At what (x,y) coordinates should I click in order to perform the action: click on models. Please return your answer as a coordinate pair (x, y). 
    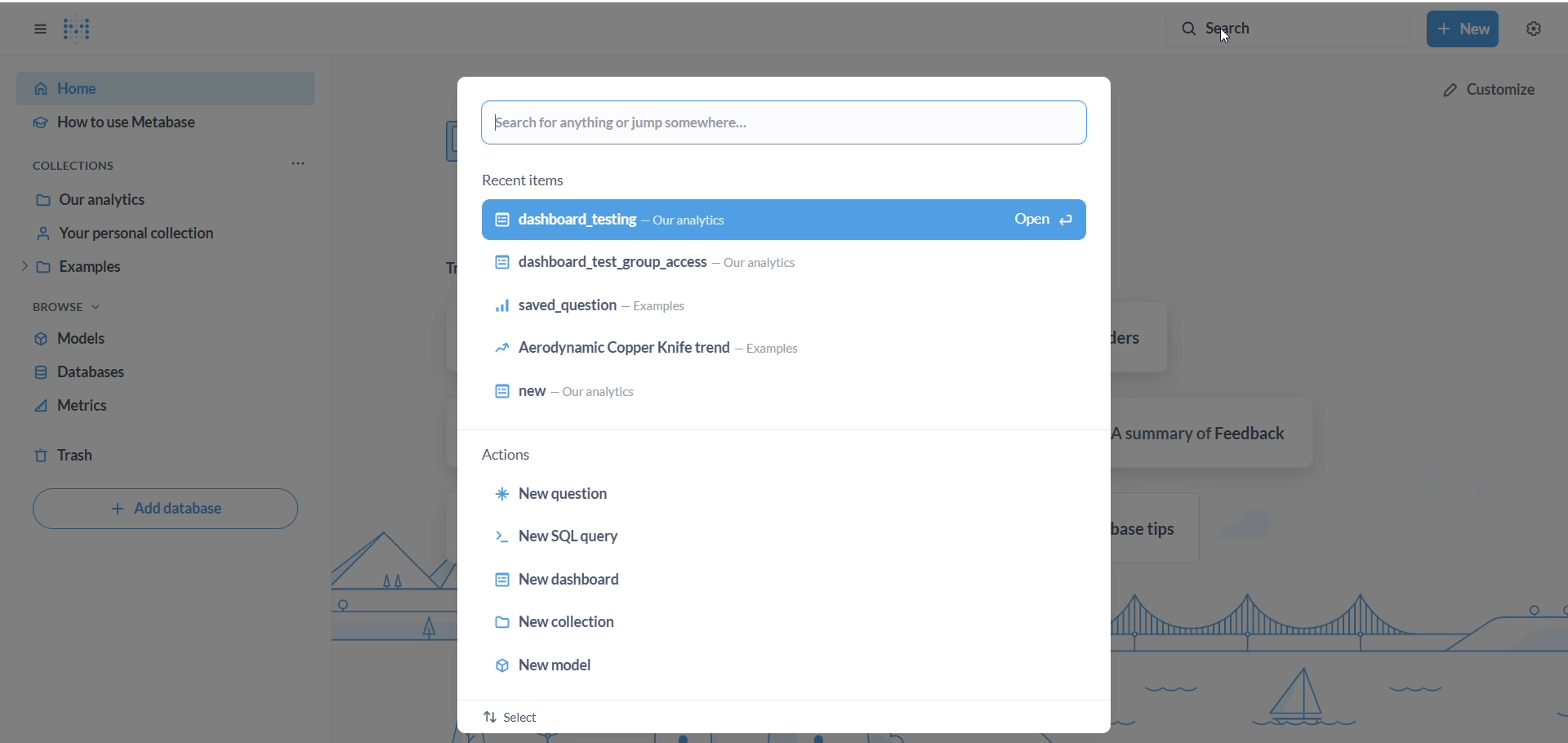
    Looking at the image, I should click on (133, 339).